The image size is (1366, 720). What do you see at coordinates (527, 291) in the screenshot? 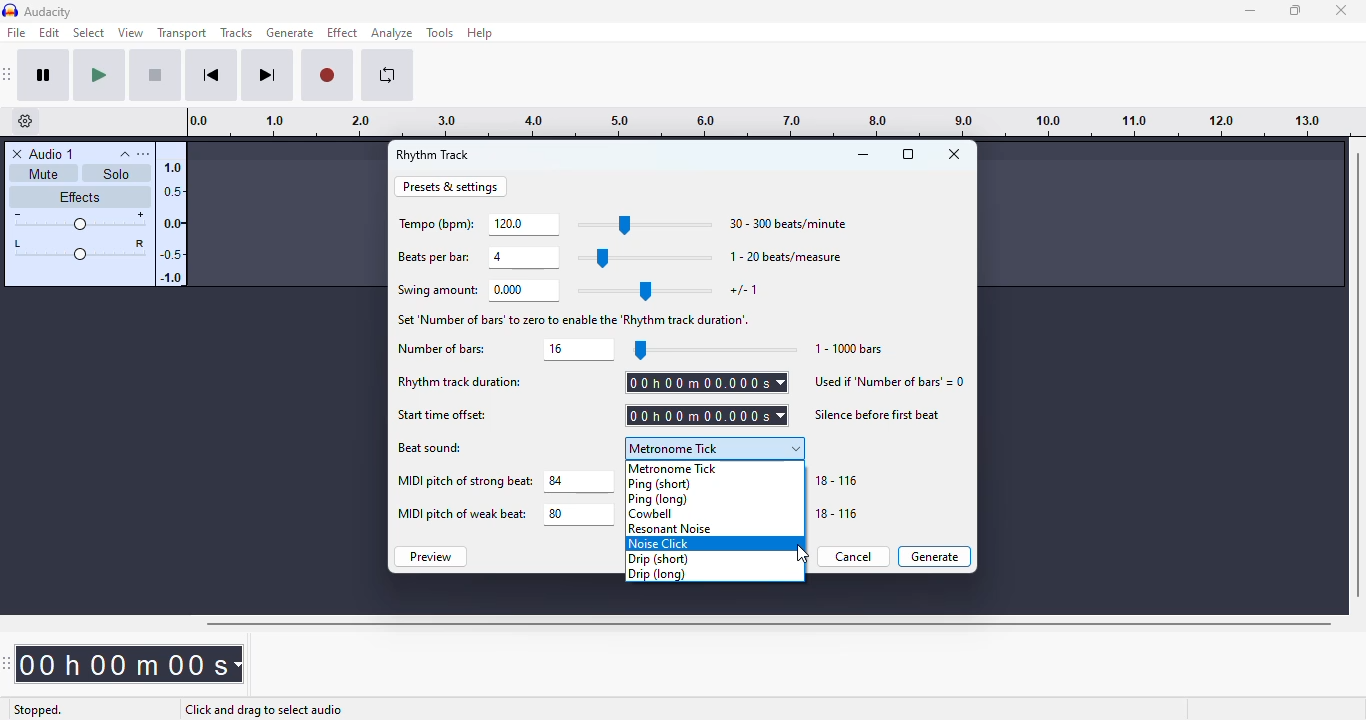
I see `set swing amount` at bounding box center [527, 291].